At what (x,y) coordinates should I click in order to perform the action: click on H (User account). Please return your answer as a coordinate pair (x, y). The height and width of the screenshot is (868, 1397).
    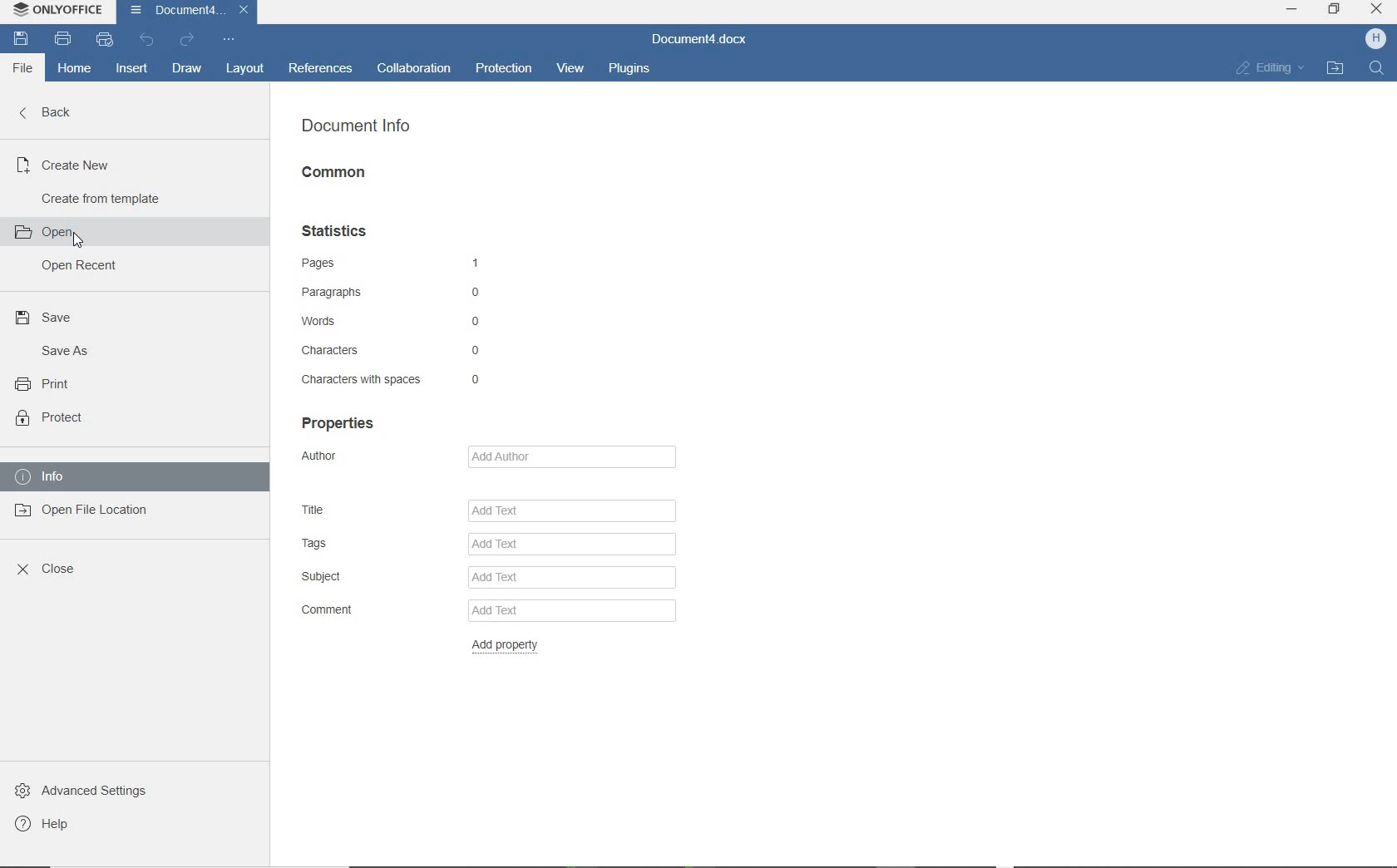
    Looking at the image, I should click on (1377, 40).